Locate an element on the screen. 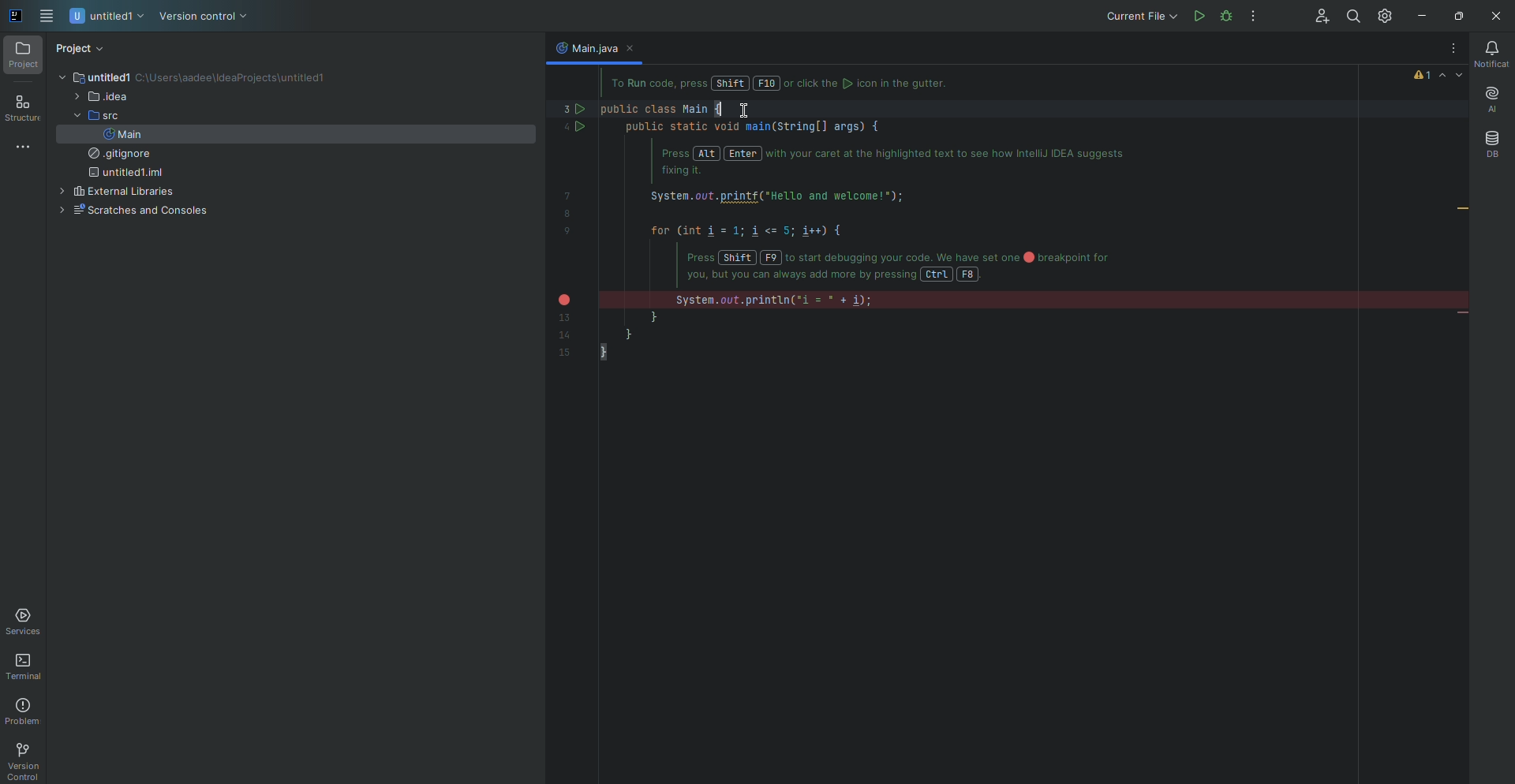  Run Code is located at coordinates (1198, 16).